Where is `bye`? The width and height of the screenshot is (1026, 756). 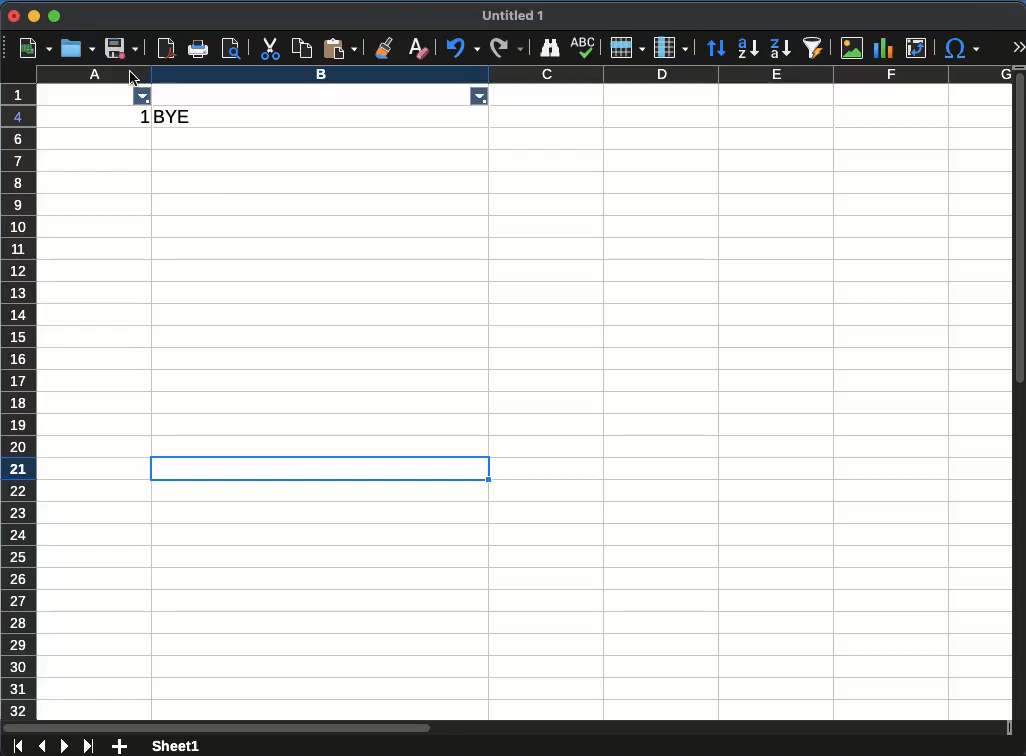
bye is located at coordinates (177, 116).